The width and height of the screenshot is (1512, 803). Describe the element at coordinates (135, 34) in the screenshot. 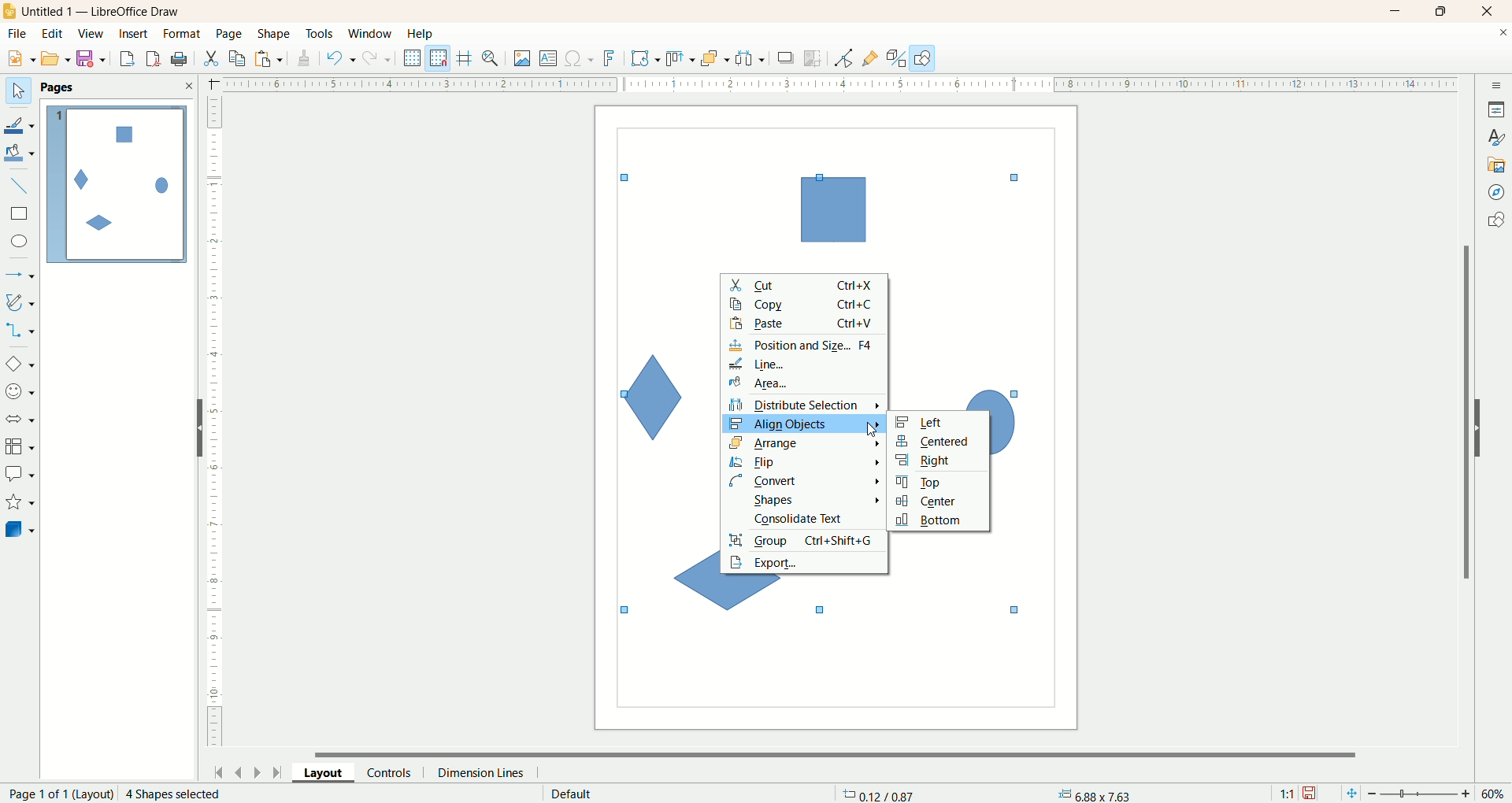

I see `insert` at that location.